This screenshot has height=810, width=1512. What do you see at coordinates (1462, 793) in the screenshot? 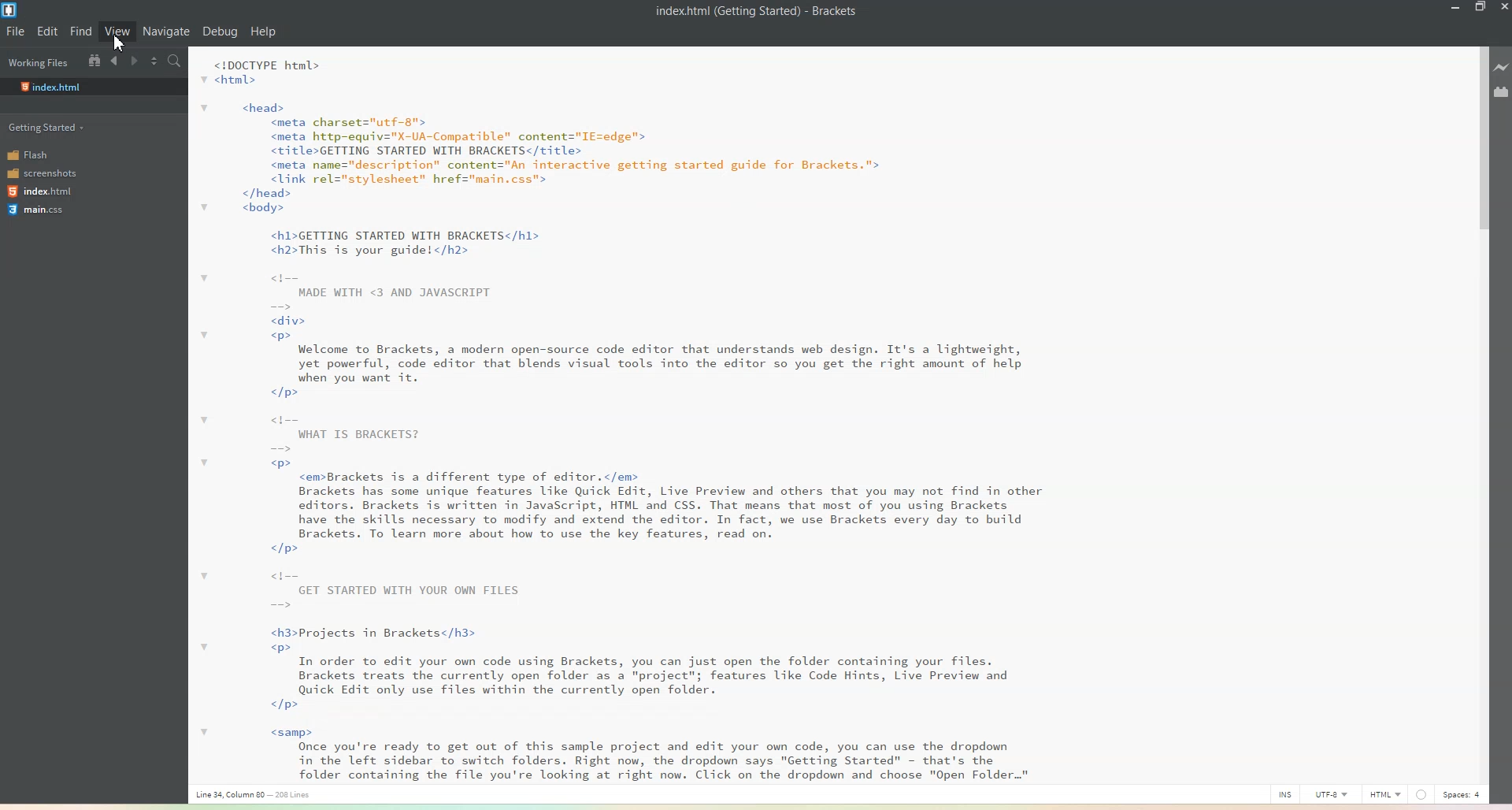
I see `Spaces: 4  ` at bounding box center [1462, 793].